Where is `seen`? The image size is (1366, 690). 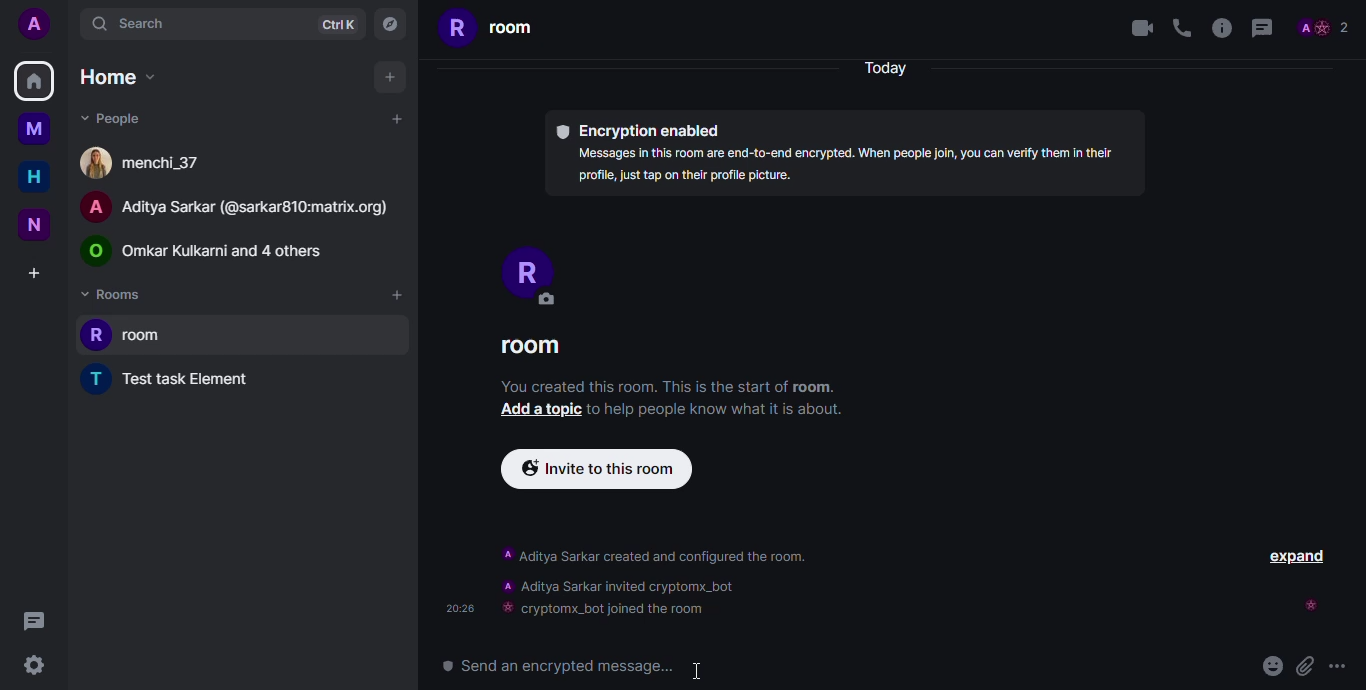 seen is located at coordinates (1311, 605).